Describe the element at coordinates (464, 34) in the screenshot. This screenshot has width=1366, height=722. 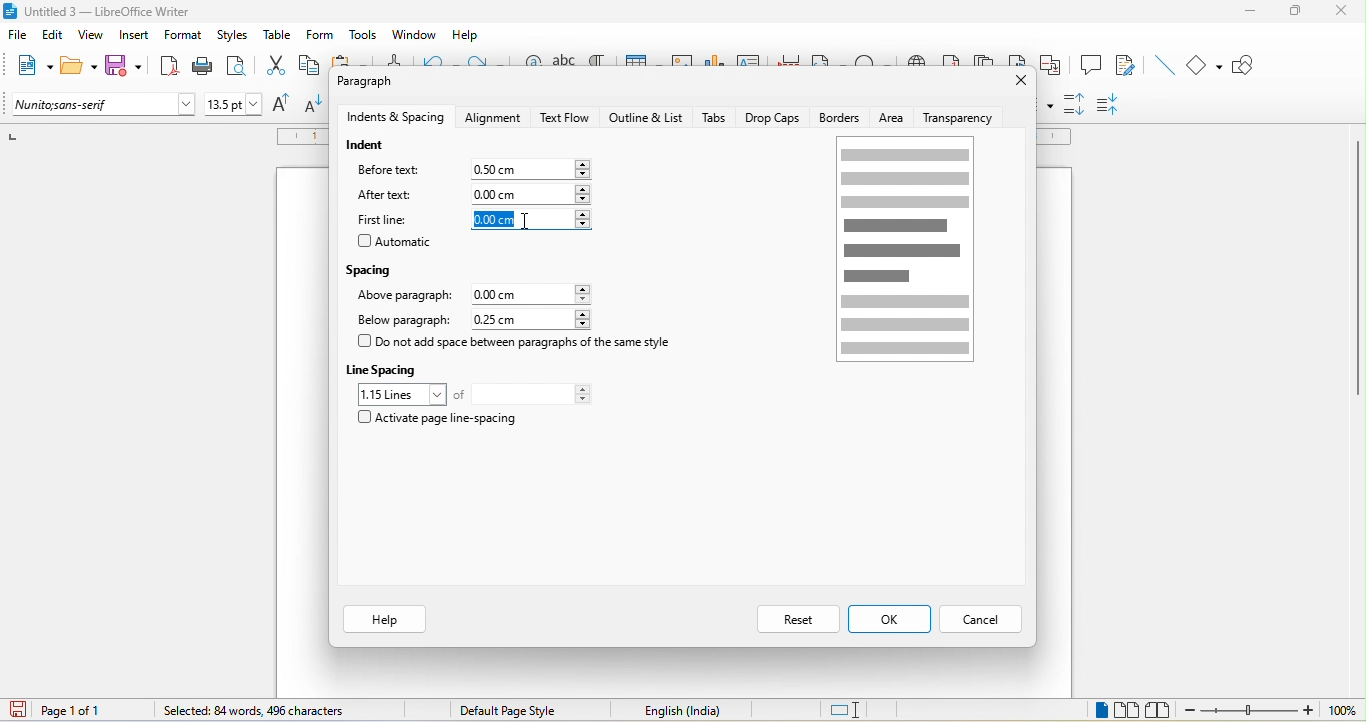
I see `help` at that location.